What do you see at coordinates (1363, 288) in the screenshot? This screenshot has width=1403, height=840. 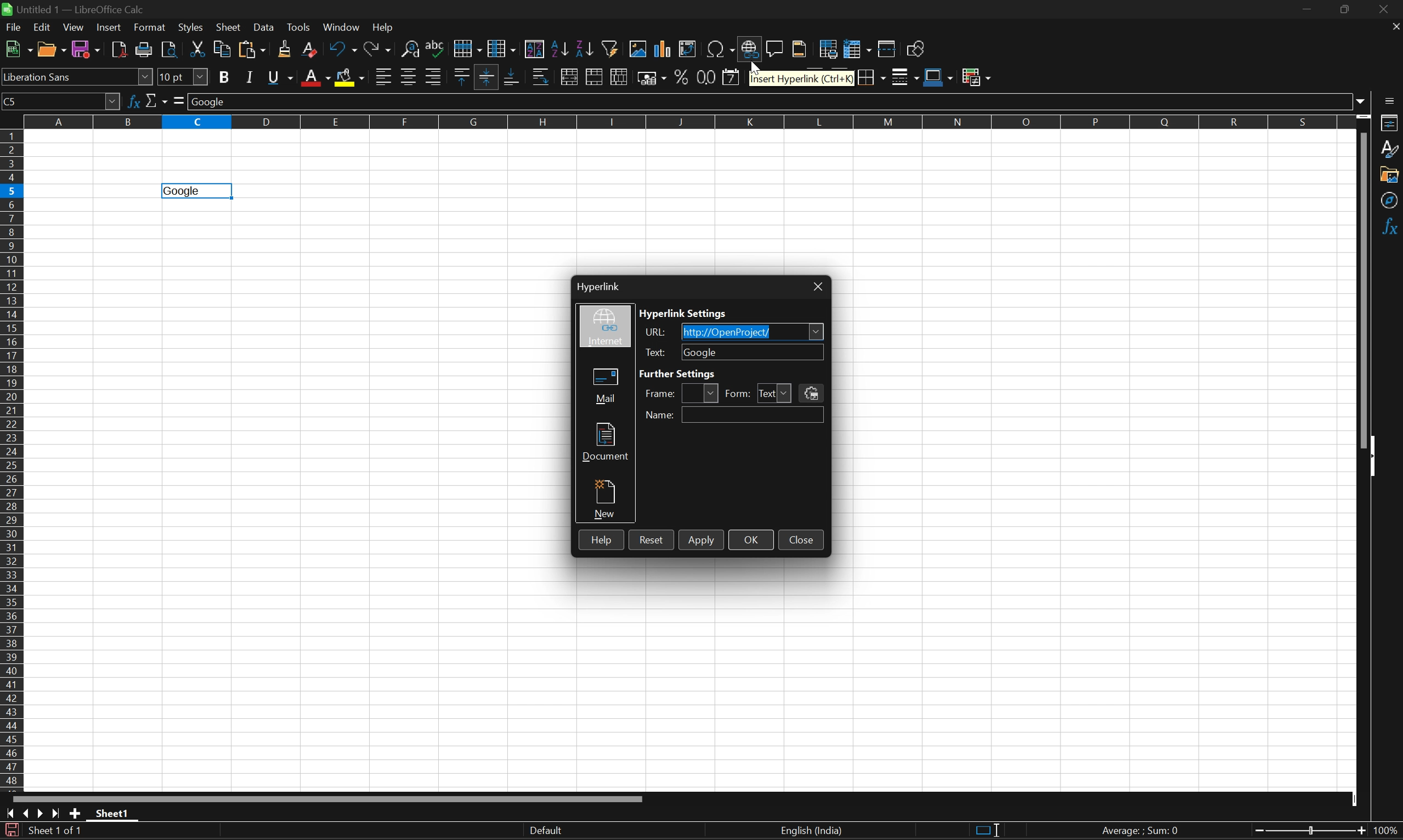 I see `Scroll bar` at bounding box center [1363, 288].